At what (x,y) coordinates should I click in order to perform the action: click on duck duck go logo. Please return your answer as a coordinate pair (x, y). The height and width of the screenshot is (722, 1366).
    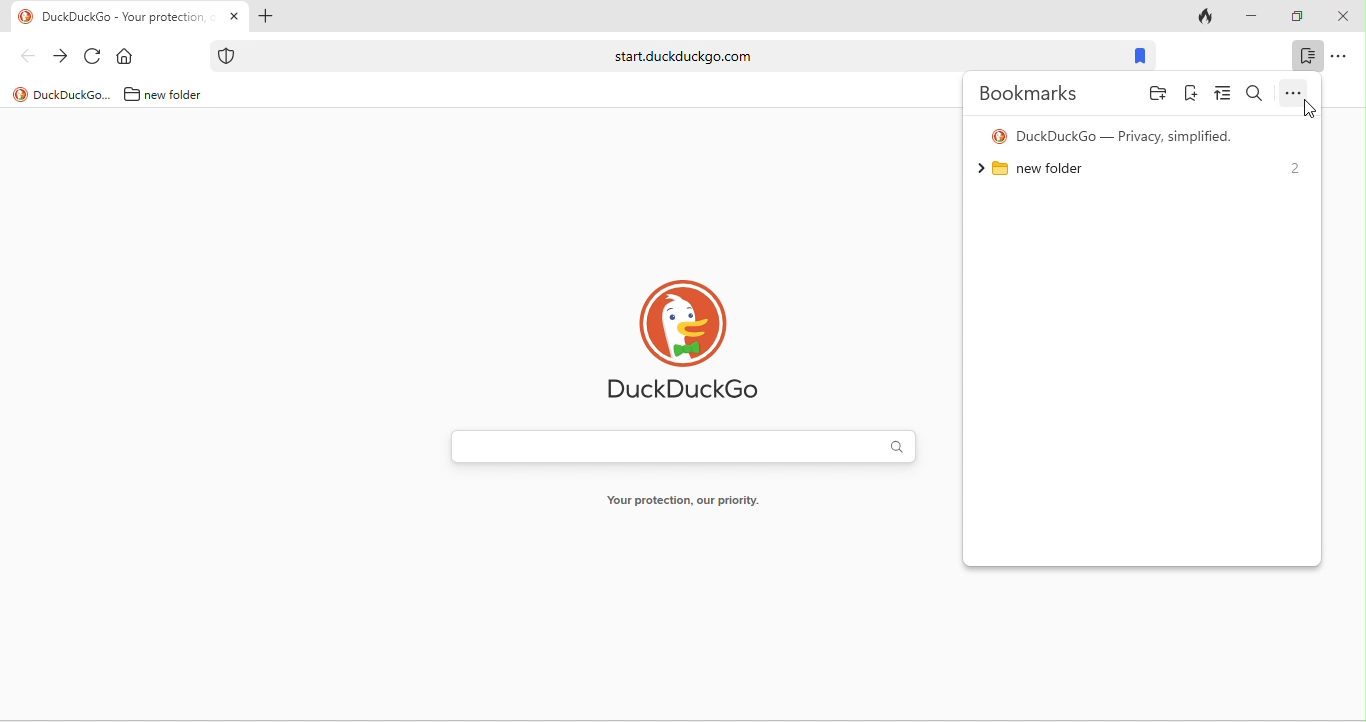
    Looking at the image, I should click on (684, 344).